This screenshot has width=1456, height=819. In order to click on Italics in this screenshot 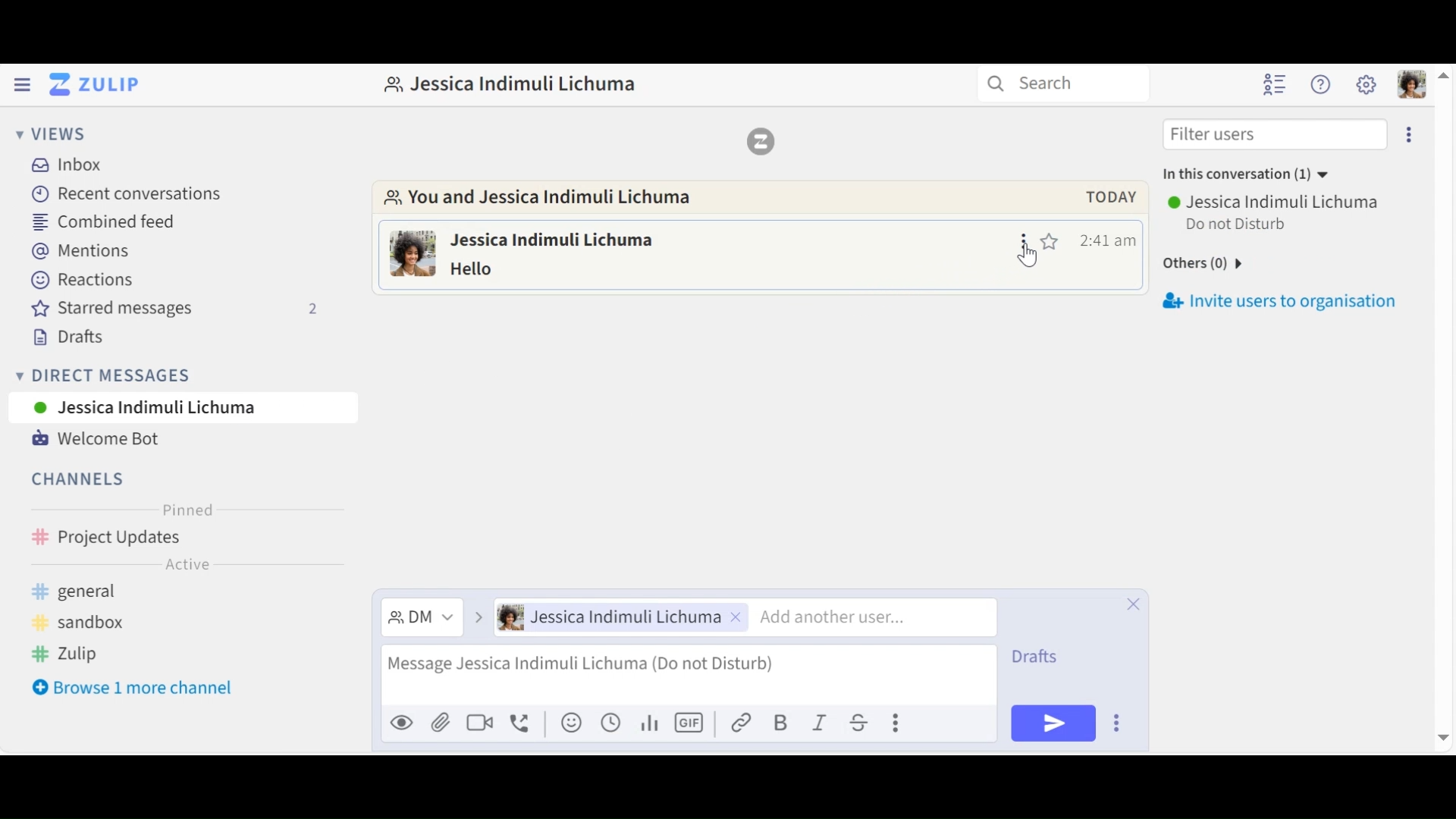, I will do `click(821, 721)`.